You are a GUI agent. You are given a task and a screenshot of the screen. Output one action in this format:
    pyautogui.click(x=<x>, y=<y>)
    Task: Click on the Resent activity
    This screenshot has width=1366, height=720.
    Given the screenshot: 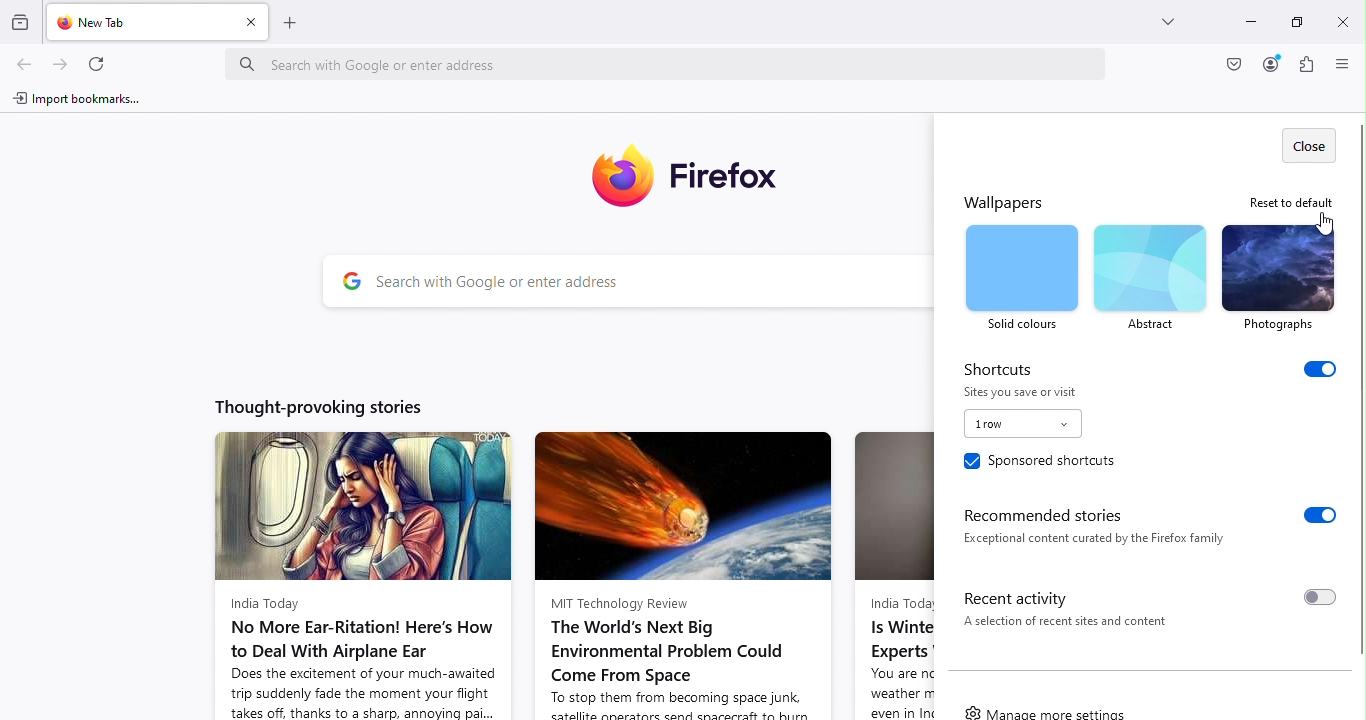 What is the action you would take?
    pyautogui.click(x=1143, y=606)
    